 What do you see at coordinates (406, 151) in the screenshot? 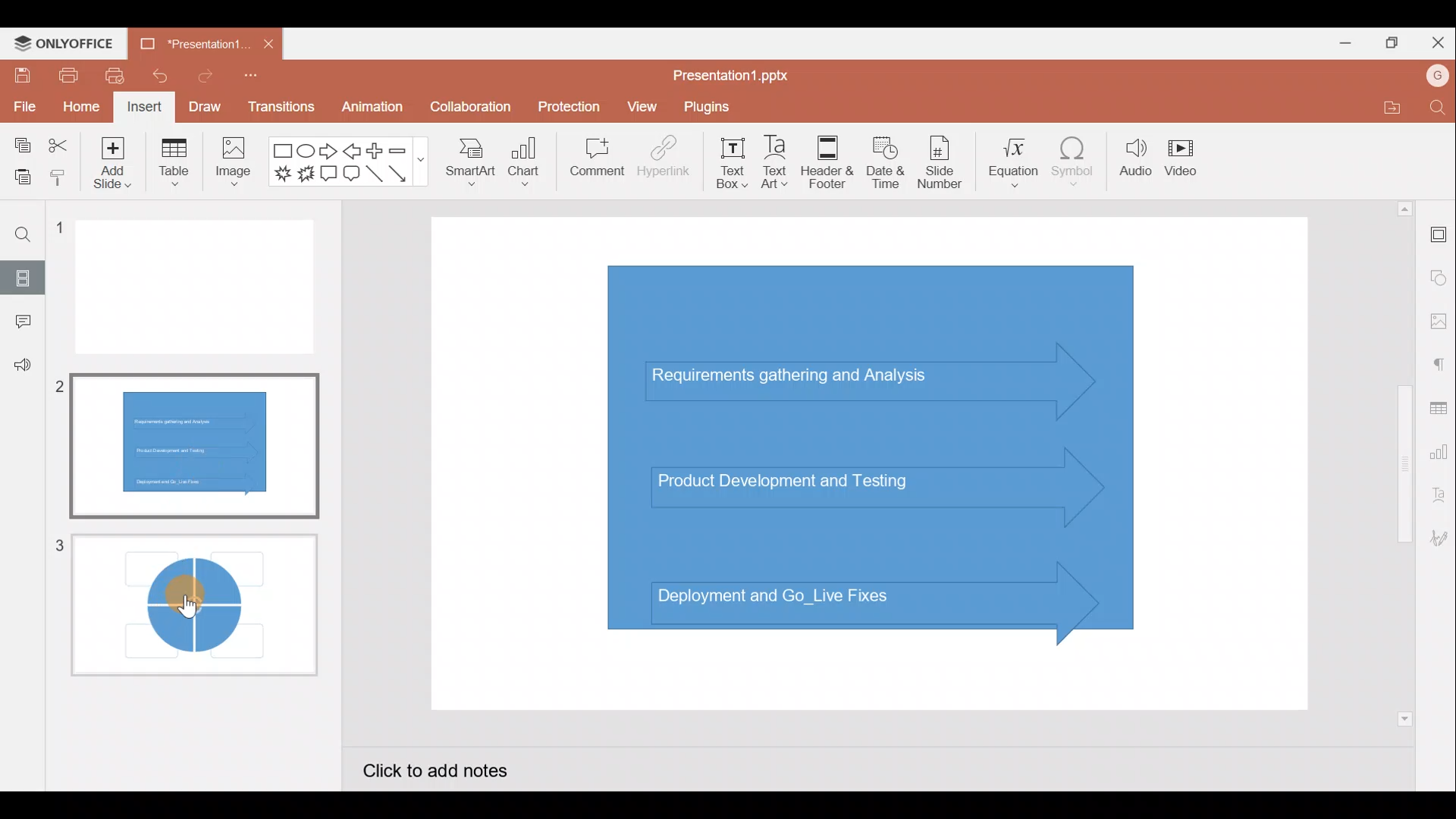
I see `Minus` at bounding box center [406, 151].